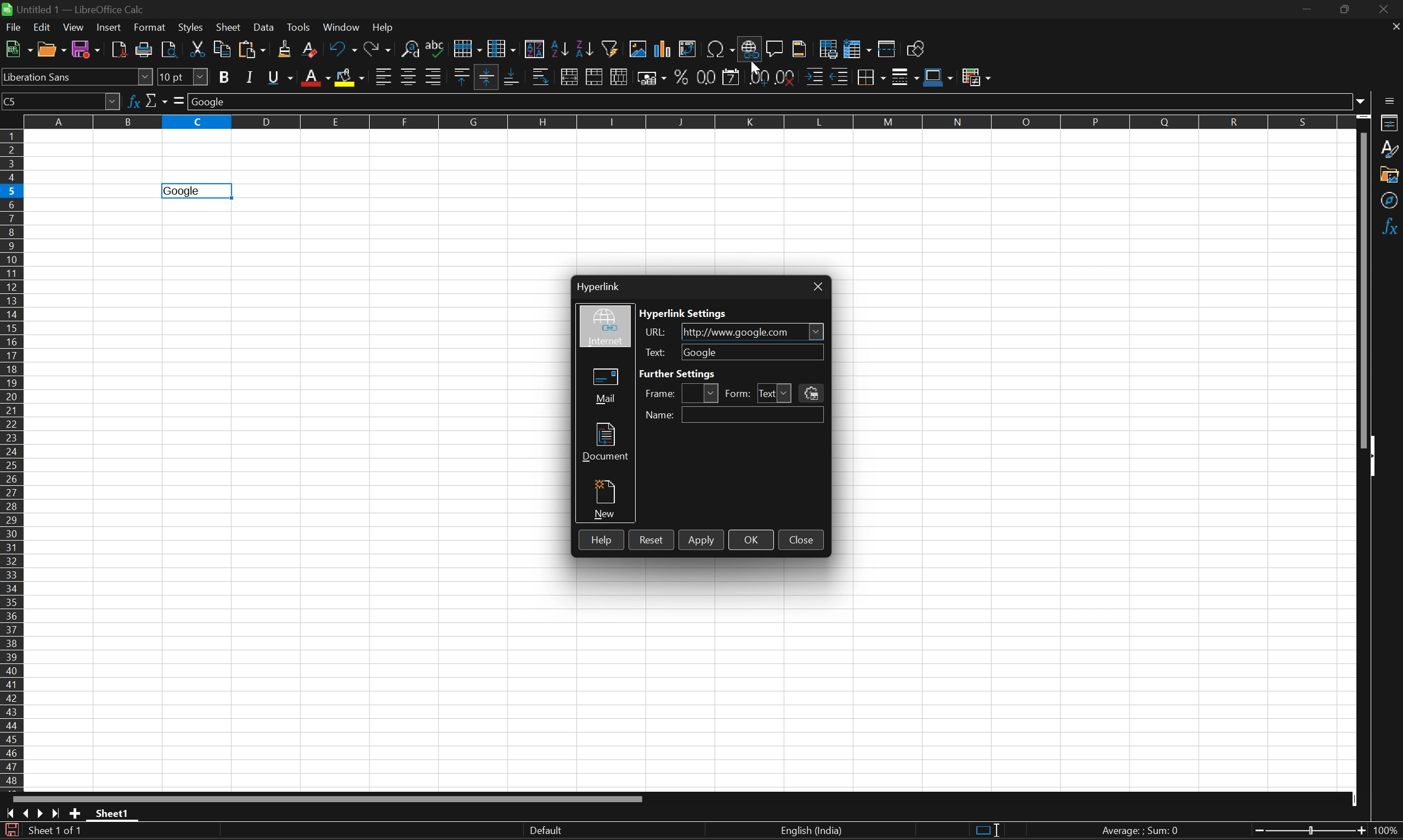 This screenshot has width=1403, height=840. What do you see at coordinates (586, 49) in the screenshot?
I see `Sort descending` at bounding box center [586, 49].